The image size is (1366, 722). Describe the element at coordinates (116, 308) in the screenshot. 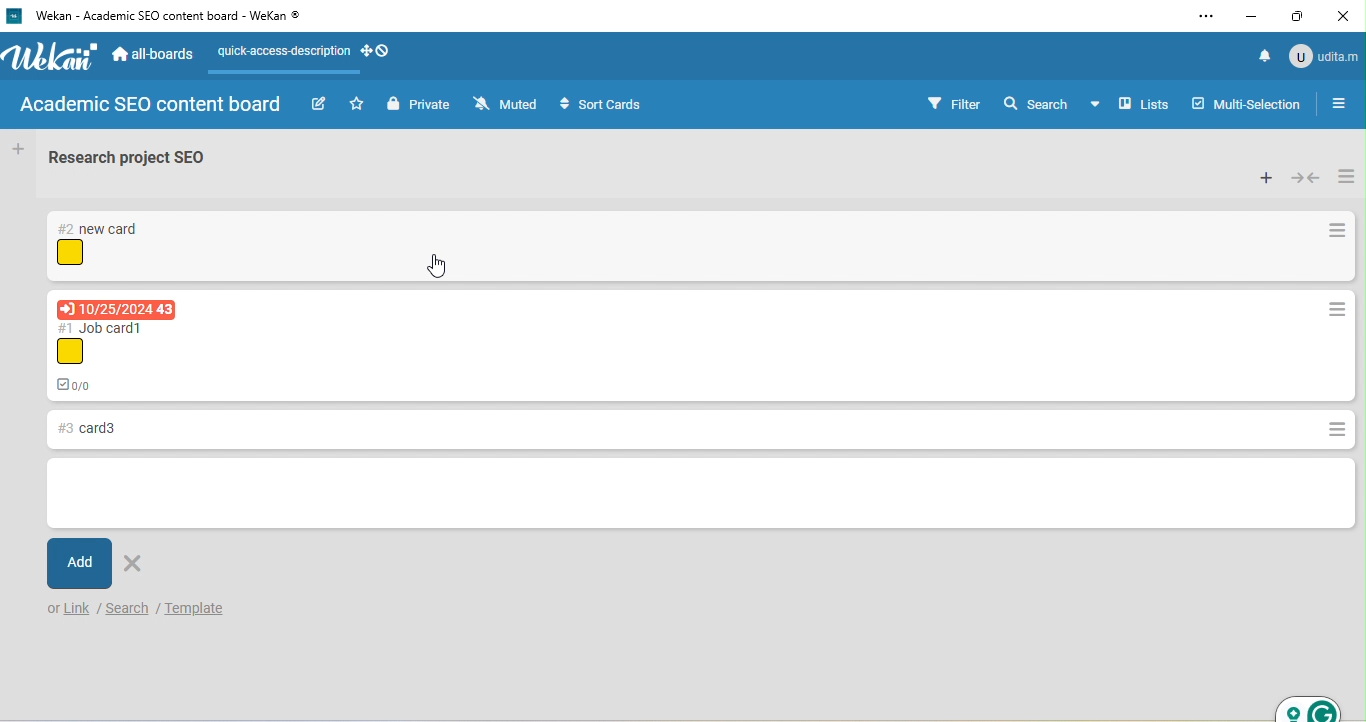

I see `due date` at that location.